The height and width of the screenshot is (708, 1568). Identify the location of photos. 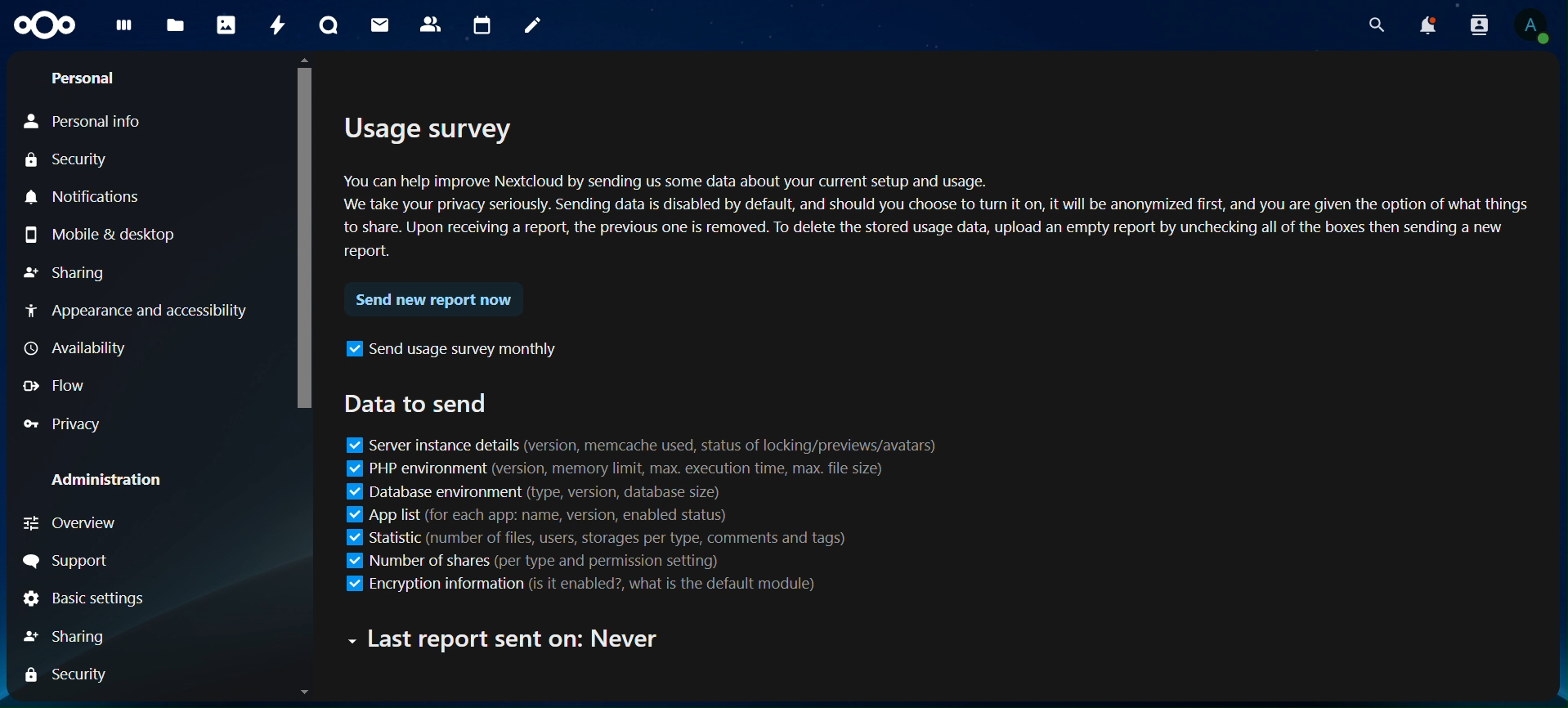
(226, 27).